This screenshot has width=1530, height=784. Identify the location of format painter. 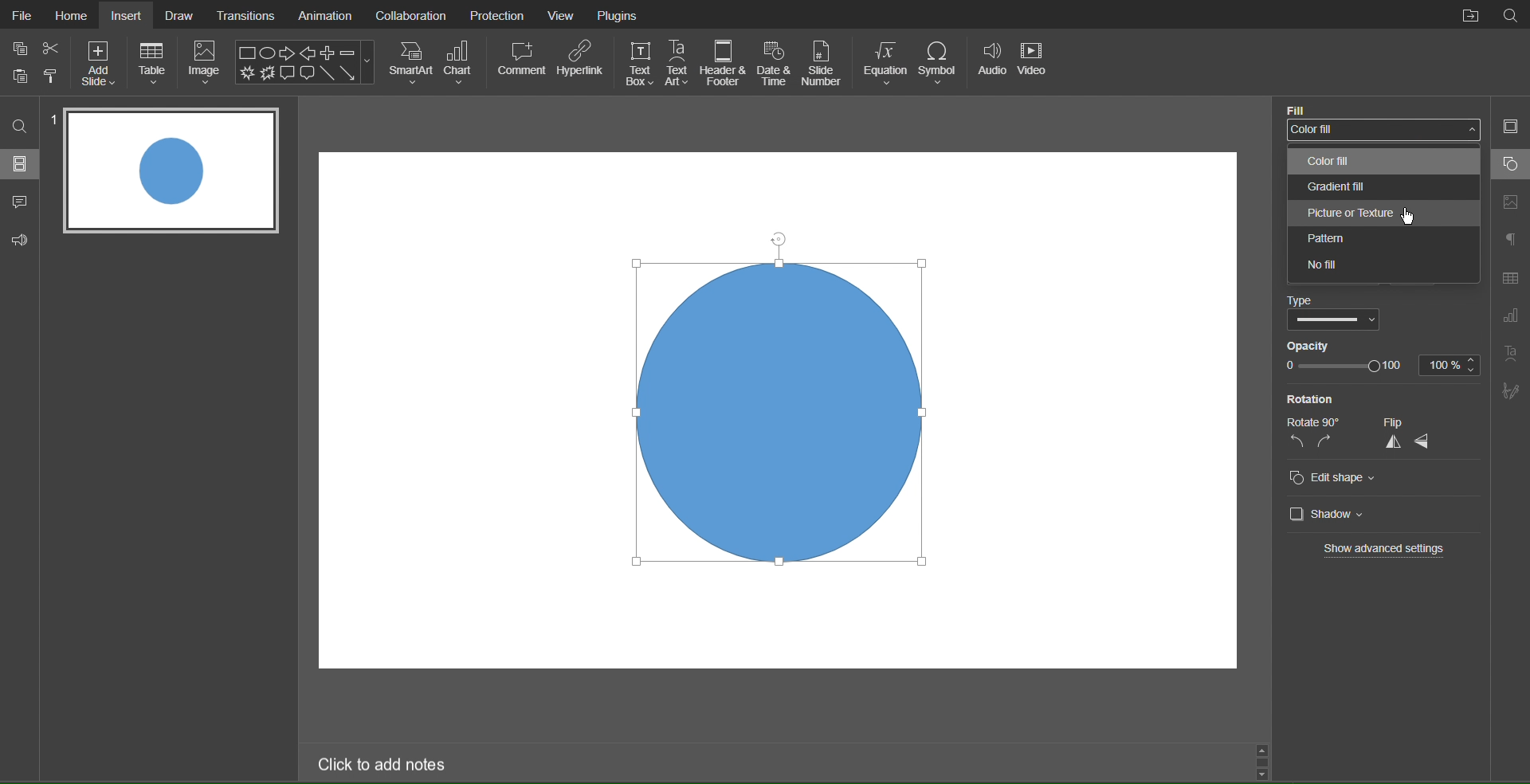
(56, 77).